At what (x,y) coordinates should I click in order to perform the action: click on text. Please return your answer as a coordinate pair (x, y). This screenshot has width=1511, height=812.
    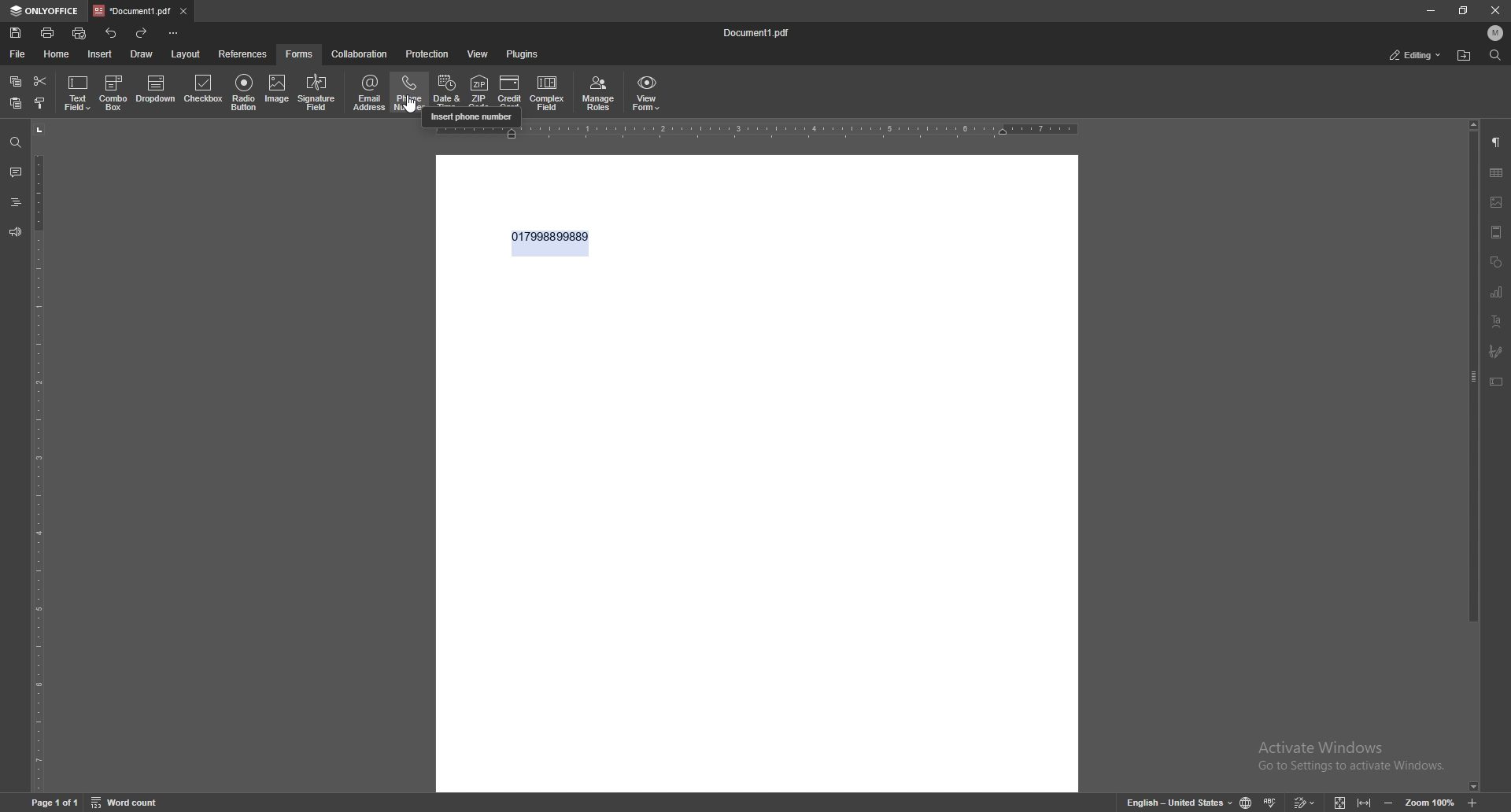
    Looking at the image, I should click on (549, 244).